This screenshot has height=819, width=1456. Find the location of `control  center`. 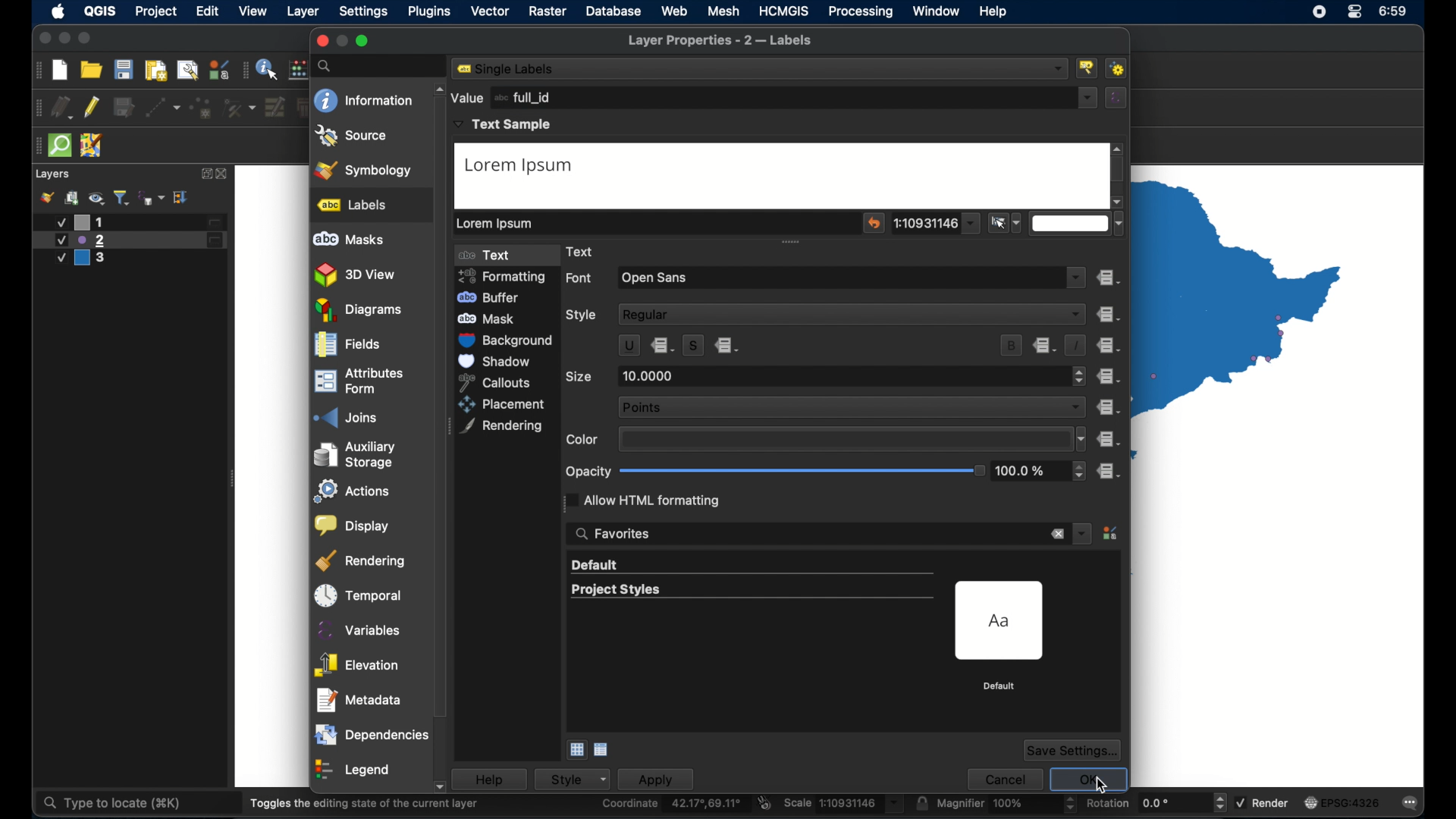

control  center is located at coordinates (1317, 13).